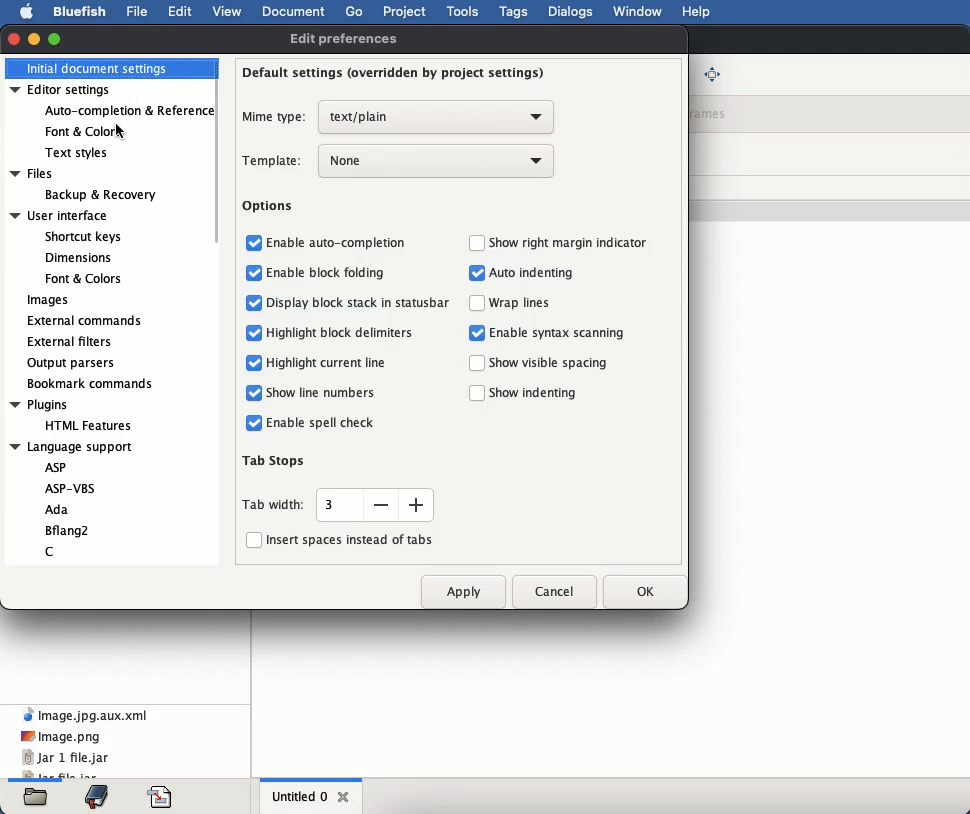  What do you see at coordinates (344, 541) in the screenshot?
I see `insert spaces instead of tabs` at bounding box center [344, 541].